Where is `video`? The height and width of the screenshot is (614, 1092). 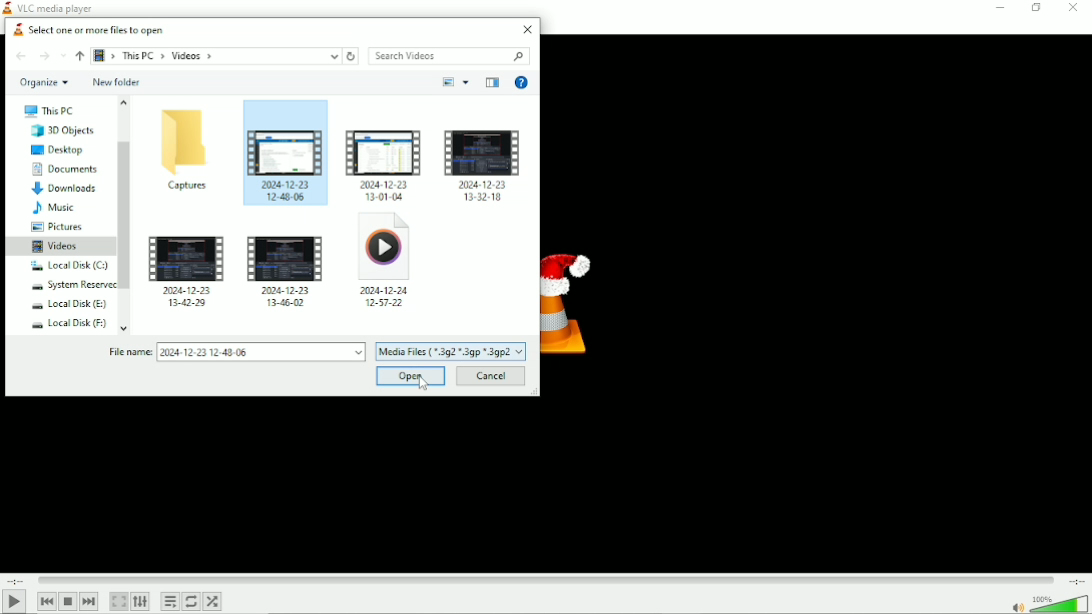
video is located at coordinates (386, 268).